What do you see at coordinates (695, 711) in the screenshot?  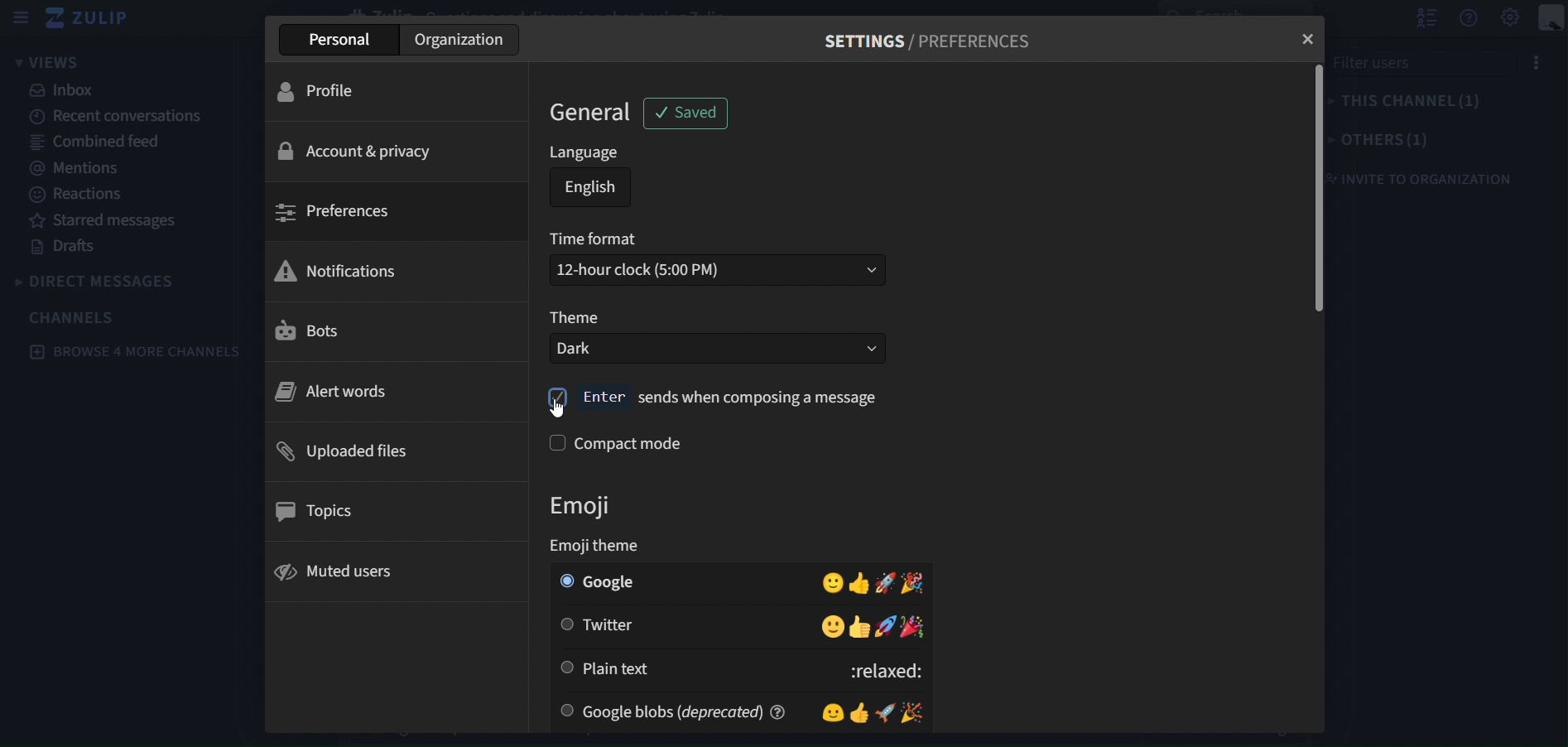 I see `Google blobs (depreciated)` at bounding box center [695, 711].